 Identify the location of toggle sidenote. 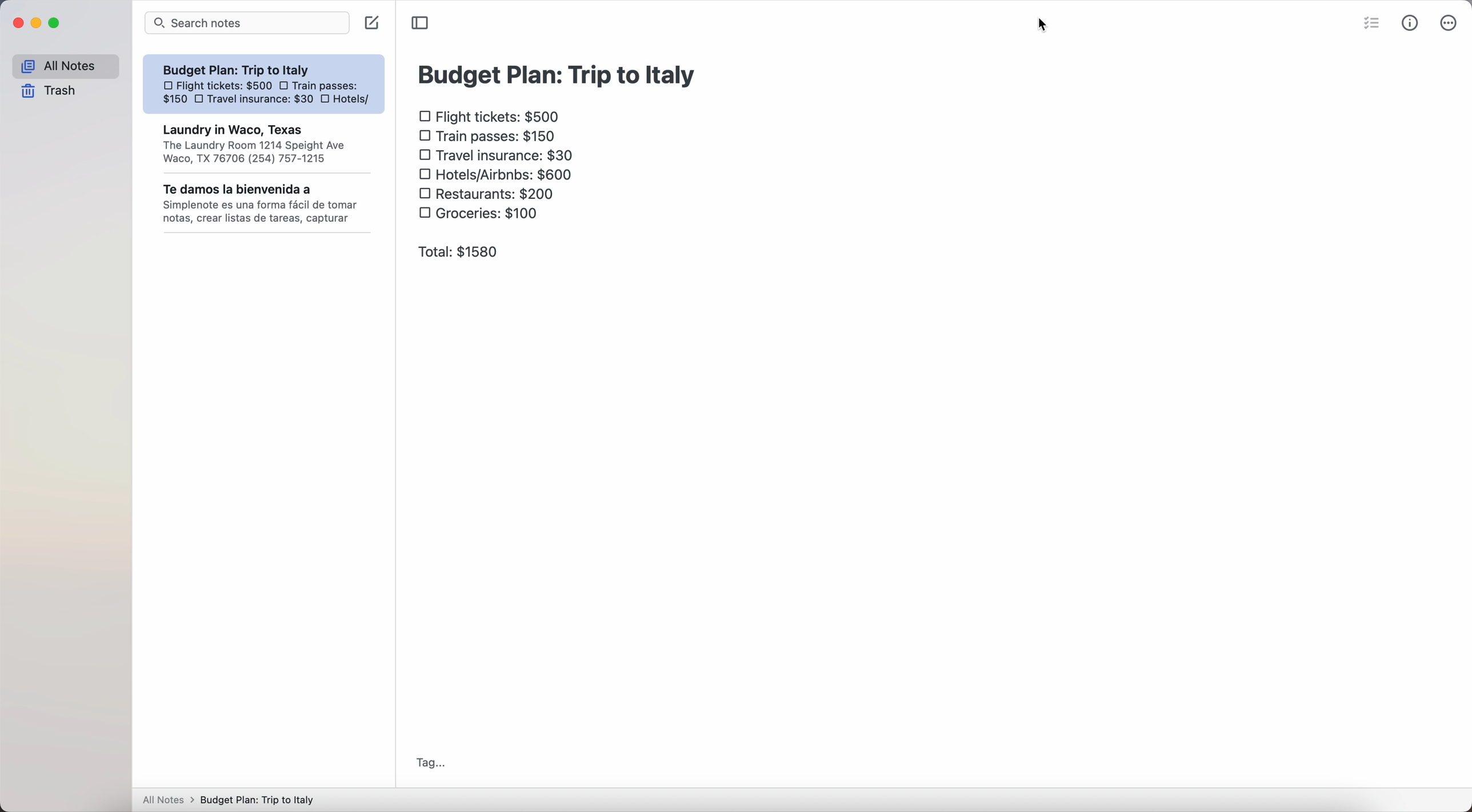
(419, 23).